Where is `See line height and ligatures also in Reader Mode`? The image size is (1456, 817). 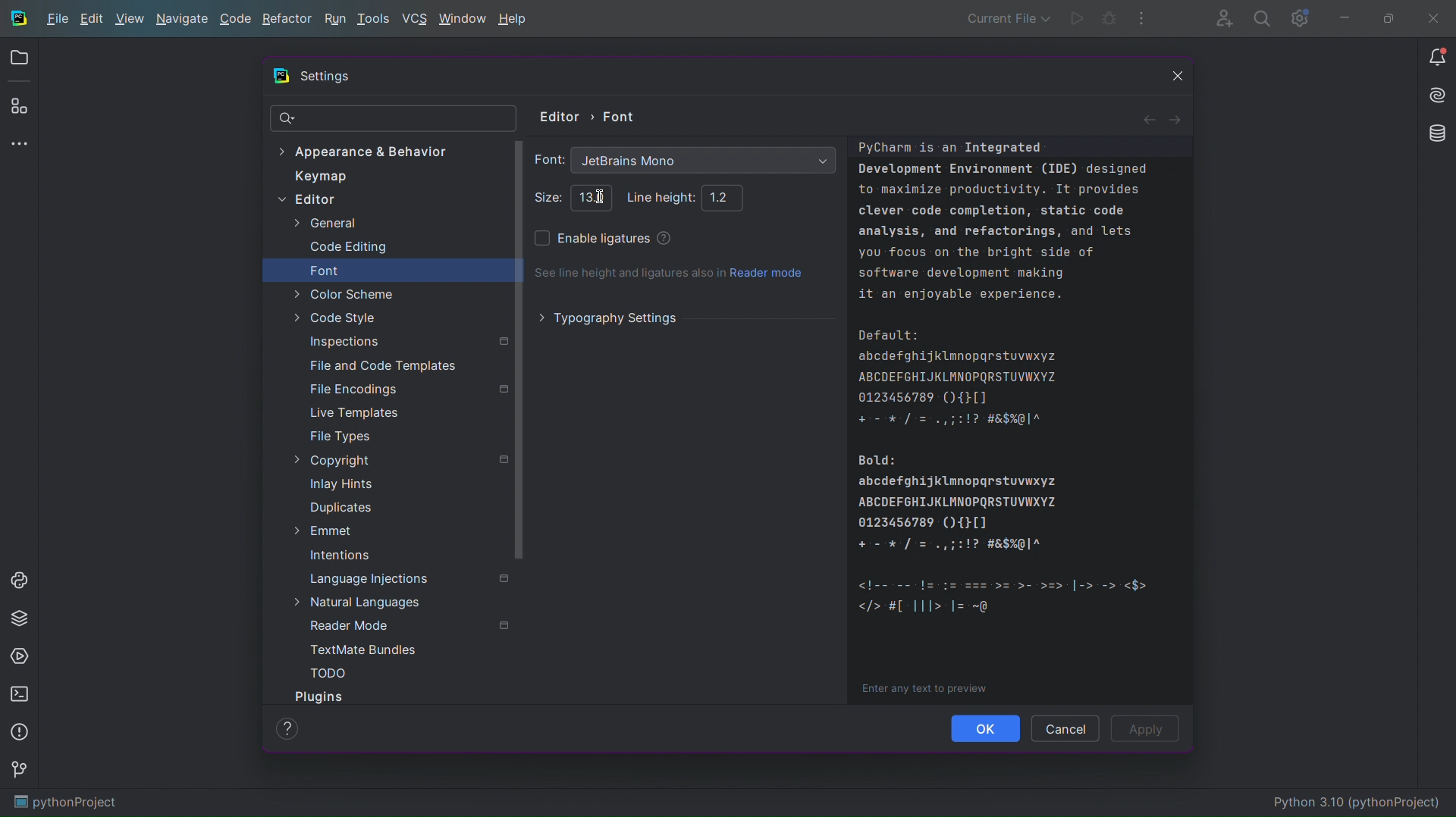 See line height and ligatures also in Reader Mode is located at coordinates (670, 274).